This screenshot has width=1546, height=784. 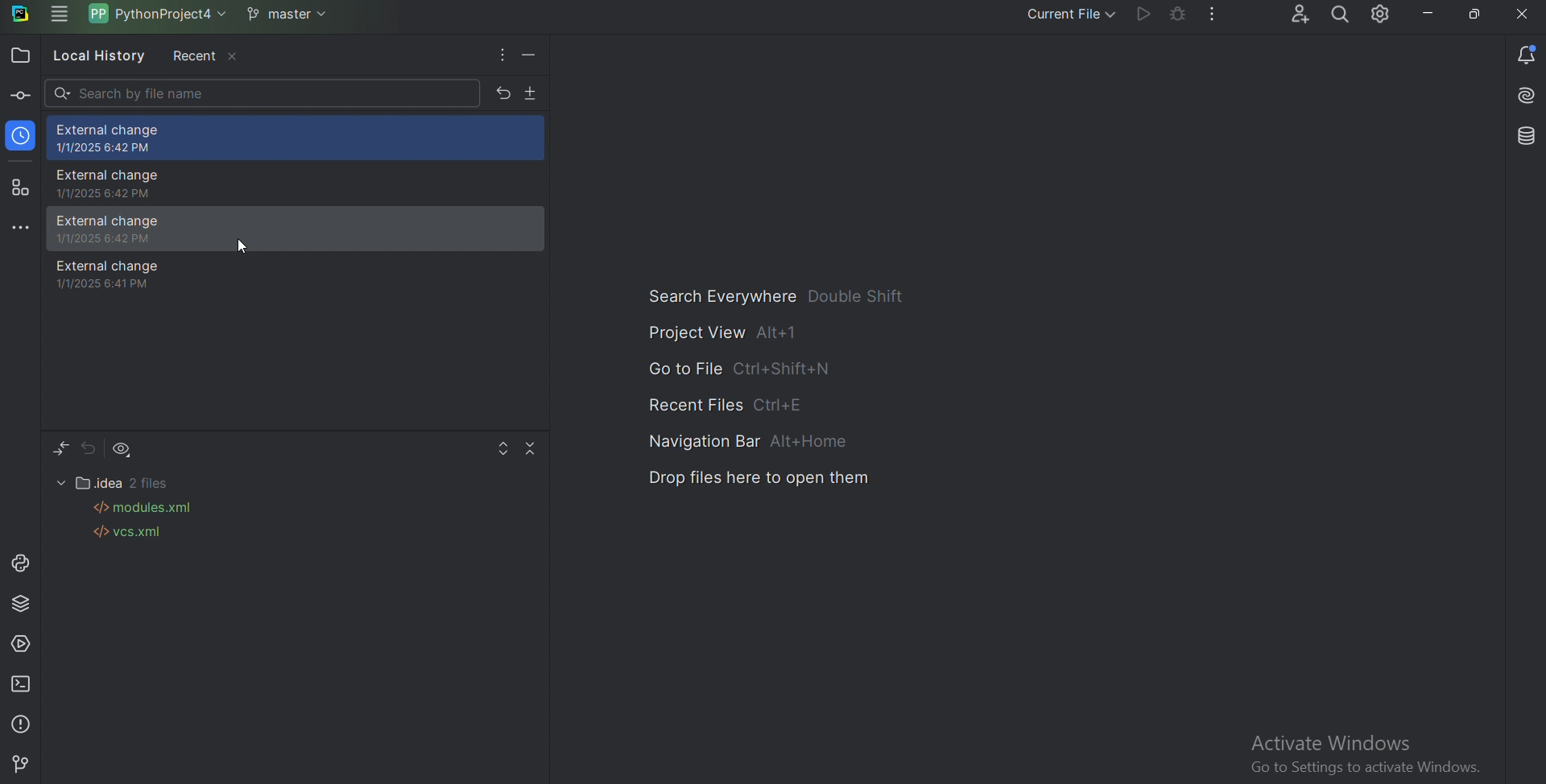 What do you see at coordinates (89, 448) in the screenshot?
I see `Revert selection` at bounding box center [89, 448].